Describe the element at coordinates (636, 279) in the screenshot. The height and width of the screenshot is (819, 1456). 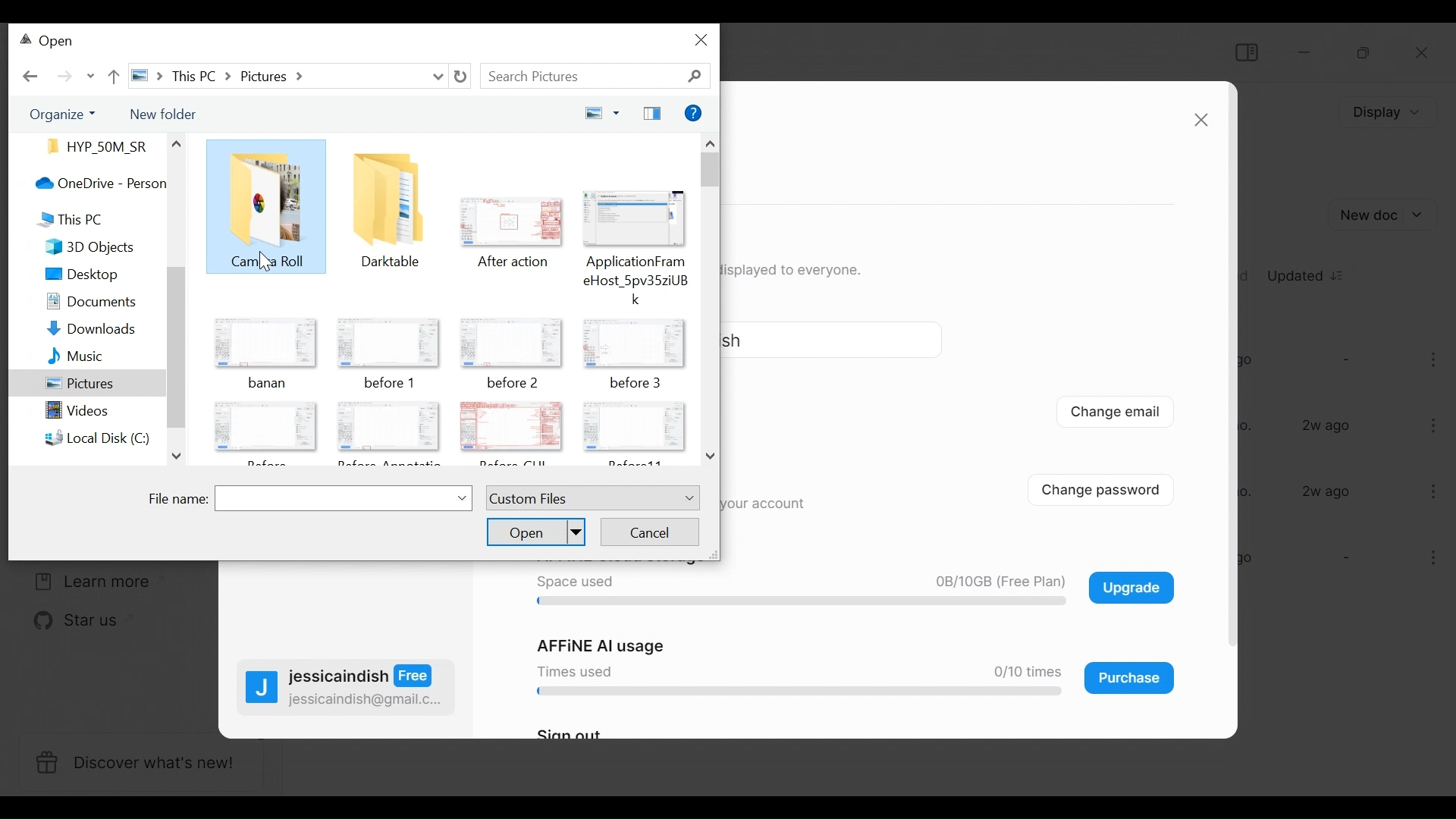
I see `ApplicationFram
eHost_5pv35ziUB
k` at that location.